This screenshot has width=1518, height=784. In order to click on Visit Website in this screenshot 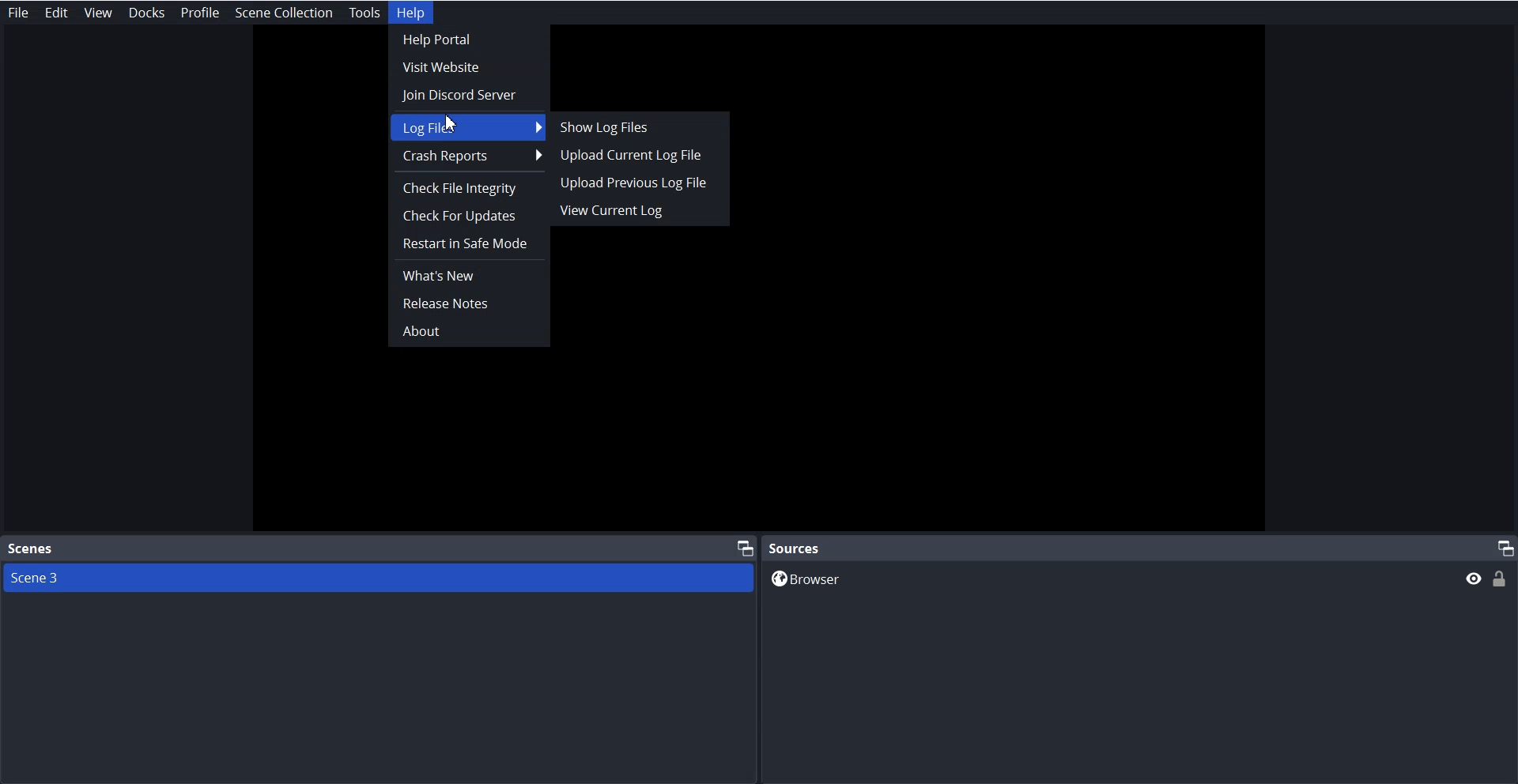, I will do `click(467, 66)`.